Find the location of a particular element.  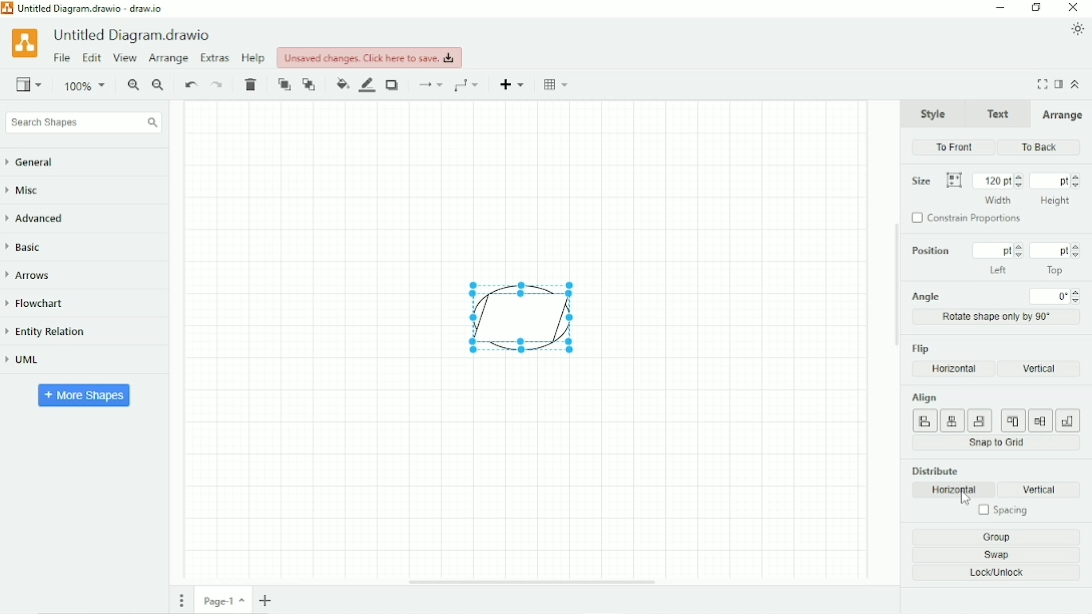

View is located at coordinates (125, 59).